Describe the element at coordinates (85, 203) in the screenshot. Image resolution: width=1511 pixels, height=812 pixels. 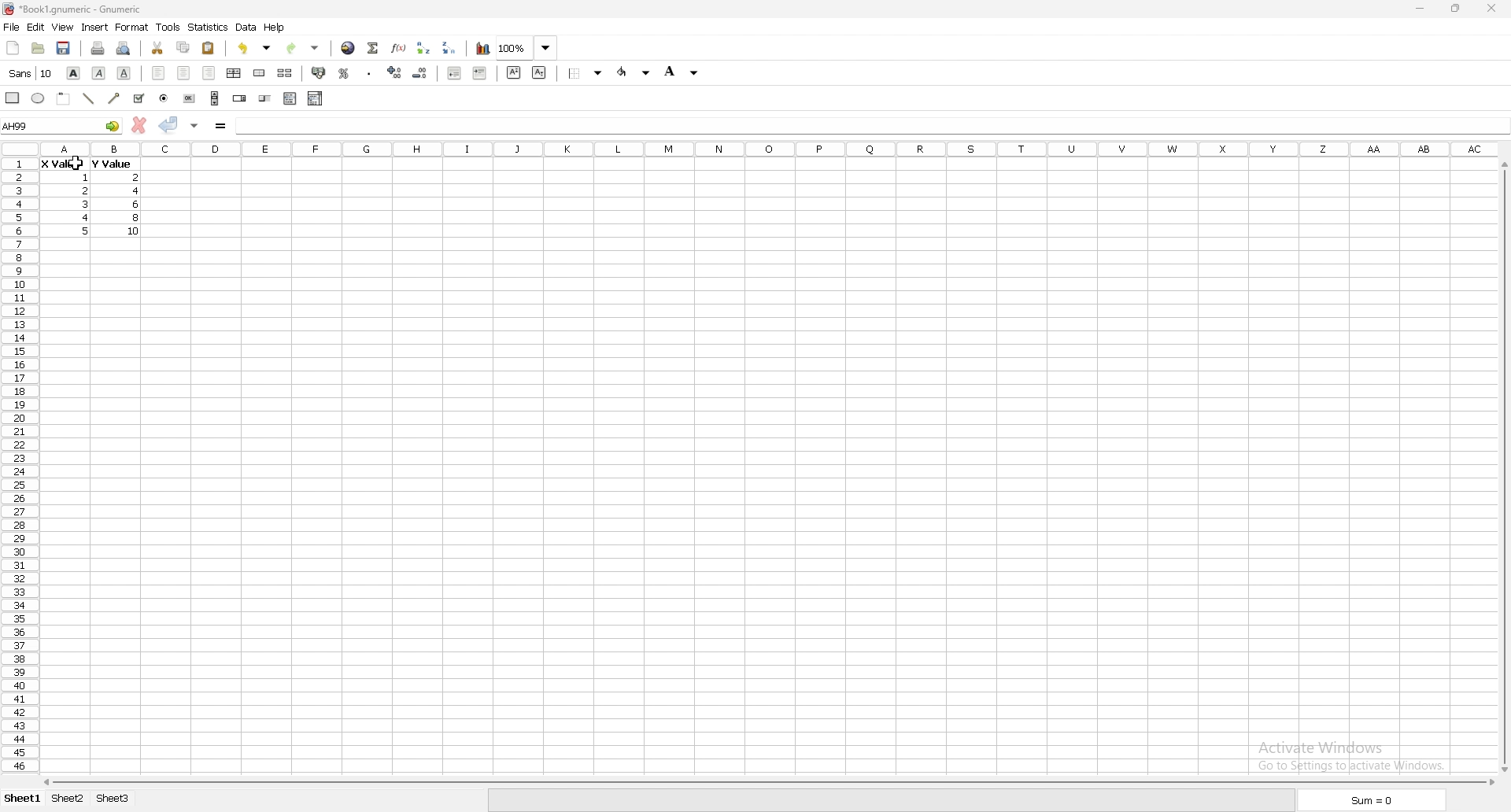
I see `value` at that location.